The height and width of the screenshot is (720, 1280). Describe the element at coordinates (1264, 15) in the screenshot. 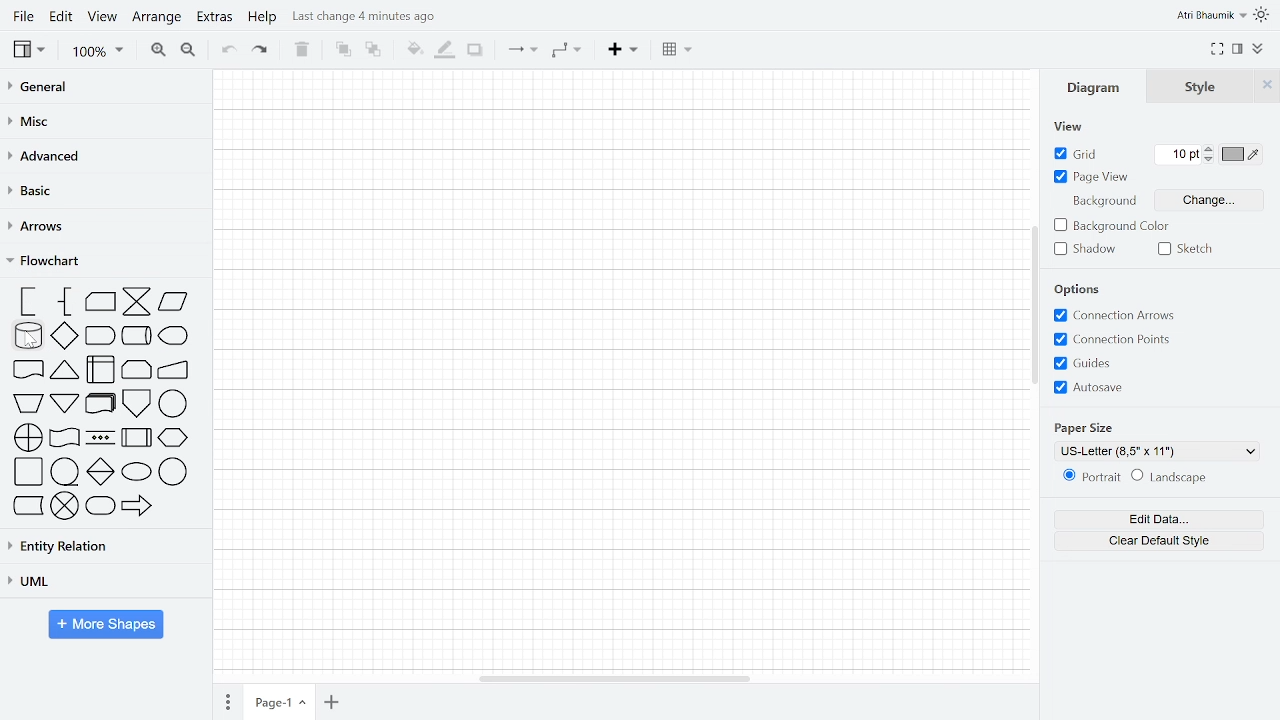

I see `Themes` at that location.